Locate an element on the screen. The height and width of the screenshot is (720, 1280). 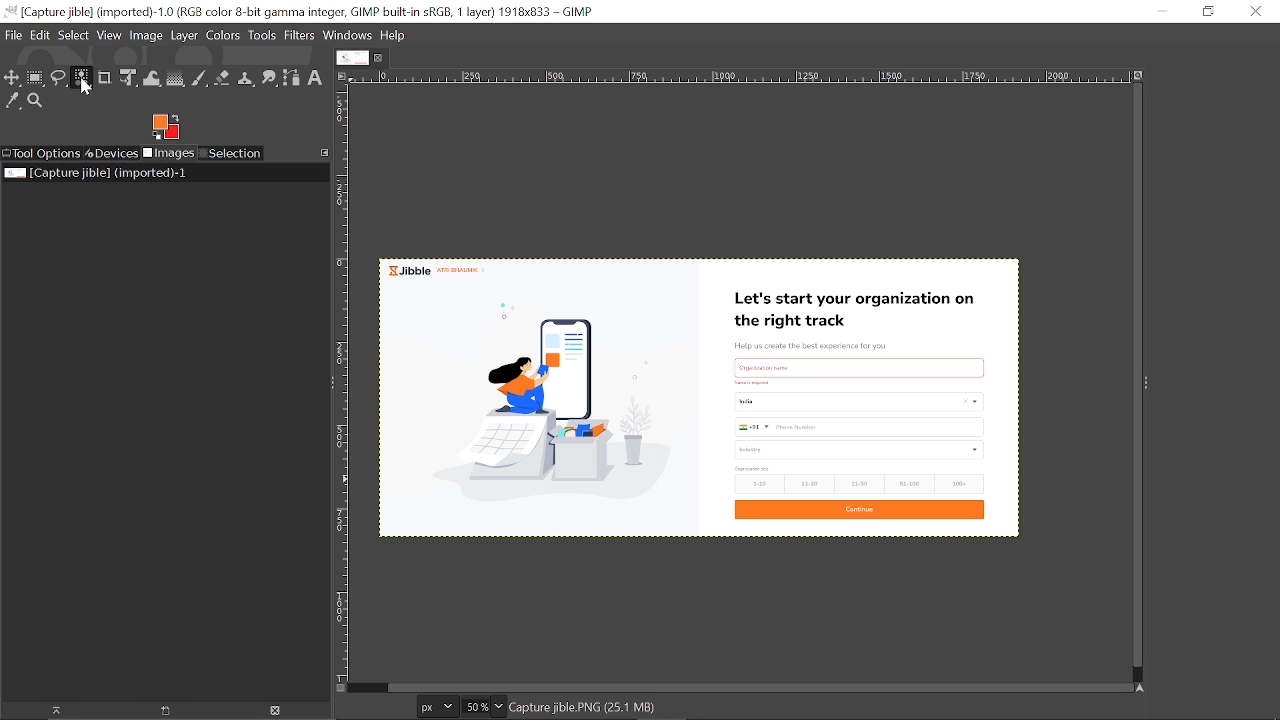
Current tab is located at coordinates (353, 58).